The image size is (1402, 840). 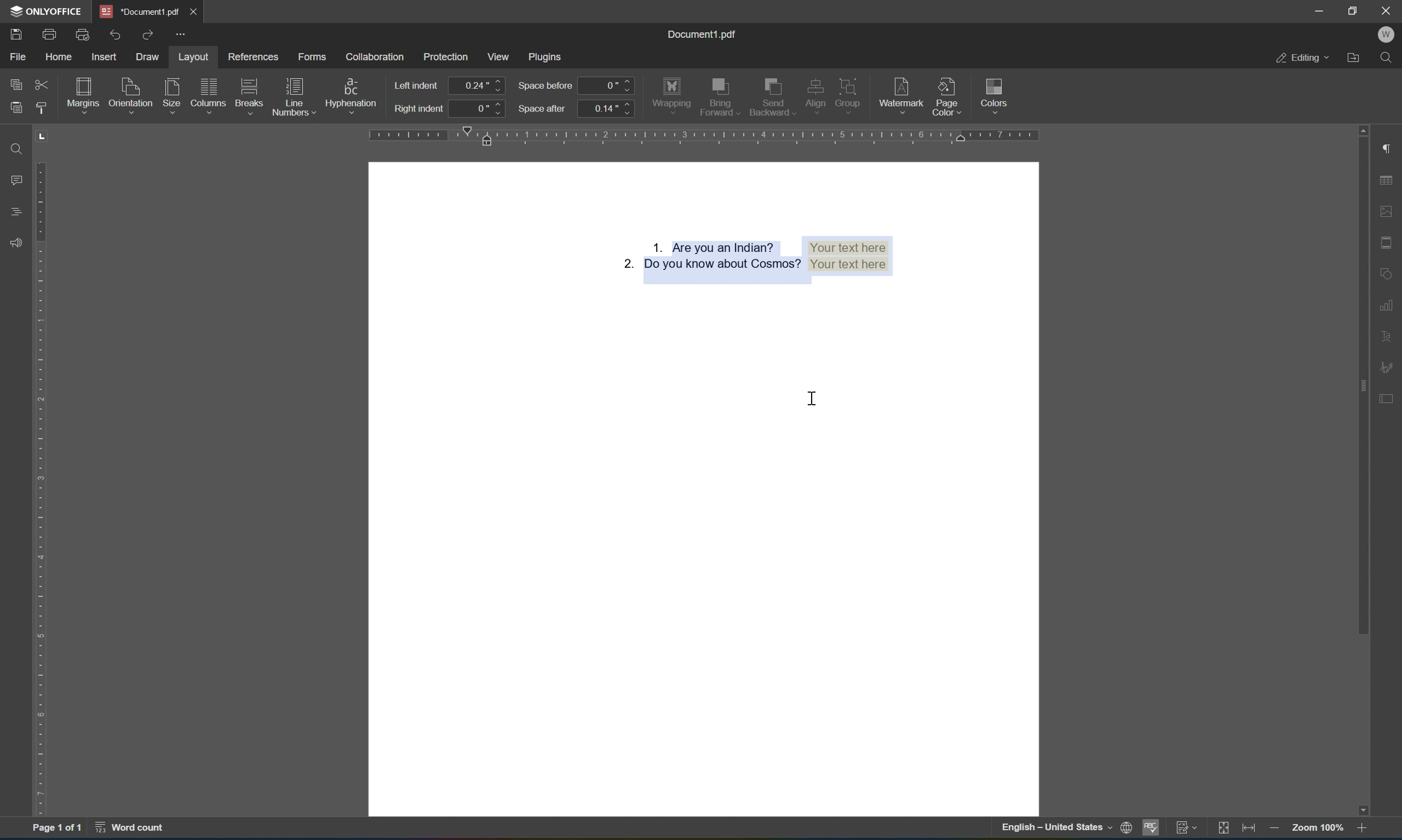 I want to click on copy style, so click(x=40, y=107).